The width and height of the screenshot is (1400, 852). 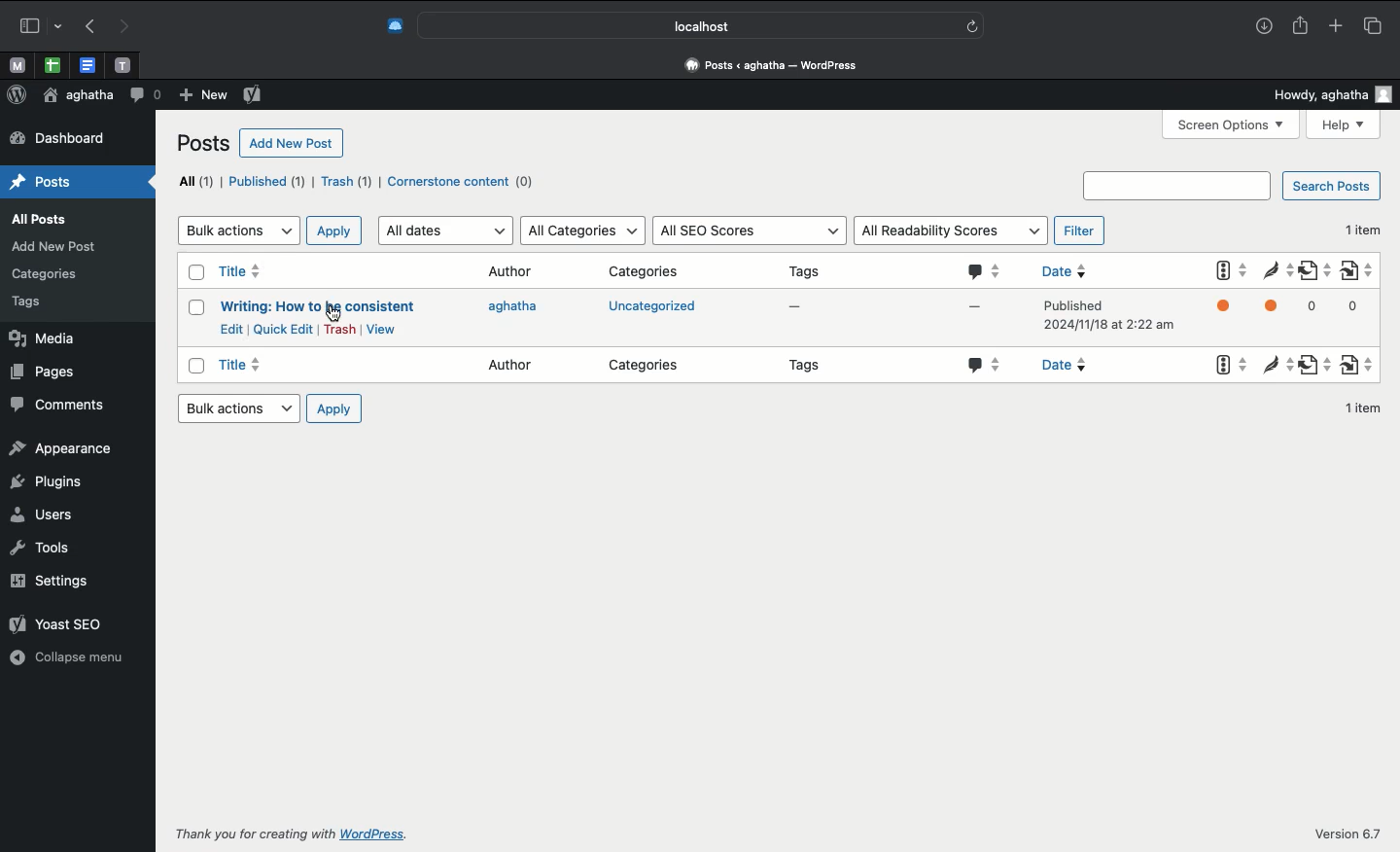 I want to click on All categories, so click(x=582, y=231).